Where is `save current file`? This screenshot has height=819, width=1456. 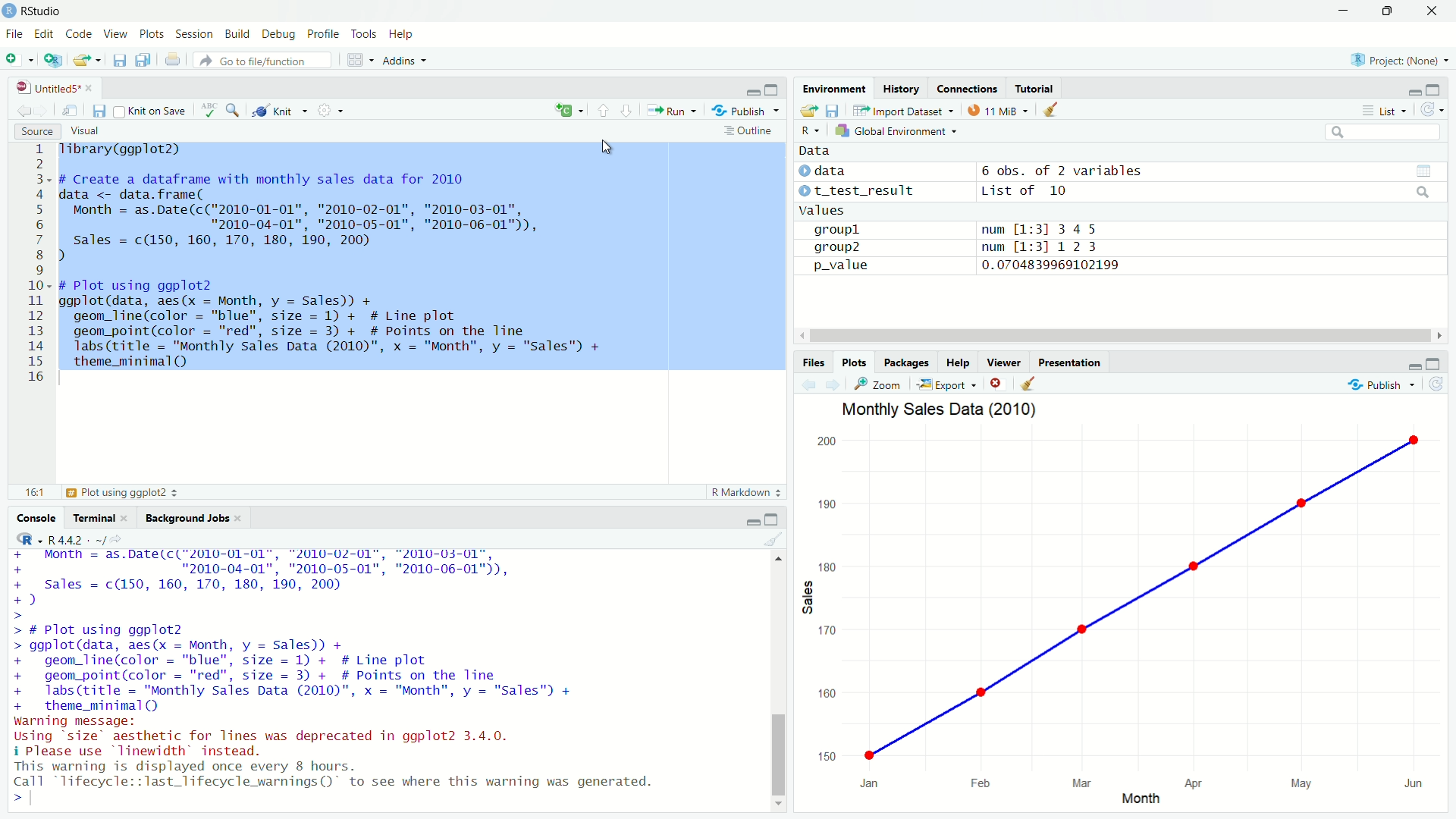 save current file is located at coordinates (120, 61).